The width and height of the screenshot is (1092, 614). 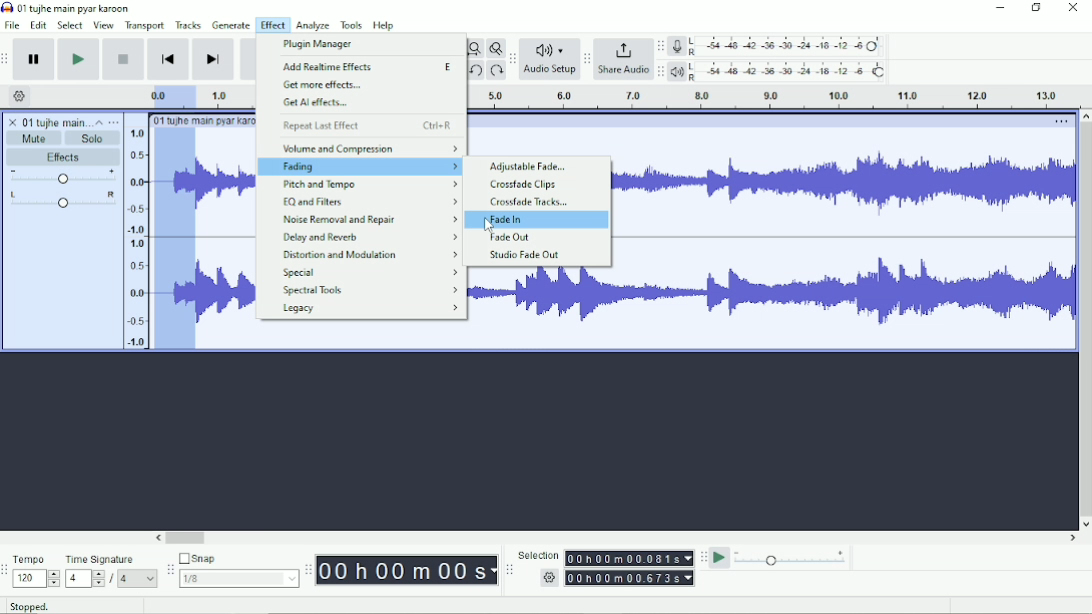 What do you see at coordinates (78, 8) in the screenshot?
I see `01 tujhe main pyar karoon` at bounding box center [78, 8].